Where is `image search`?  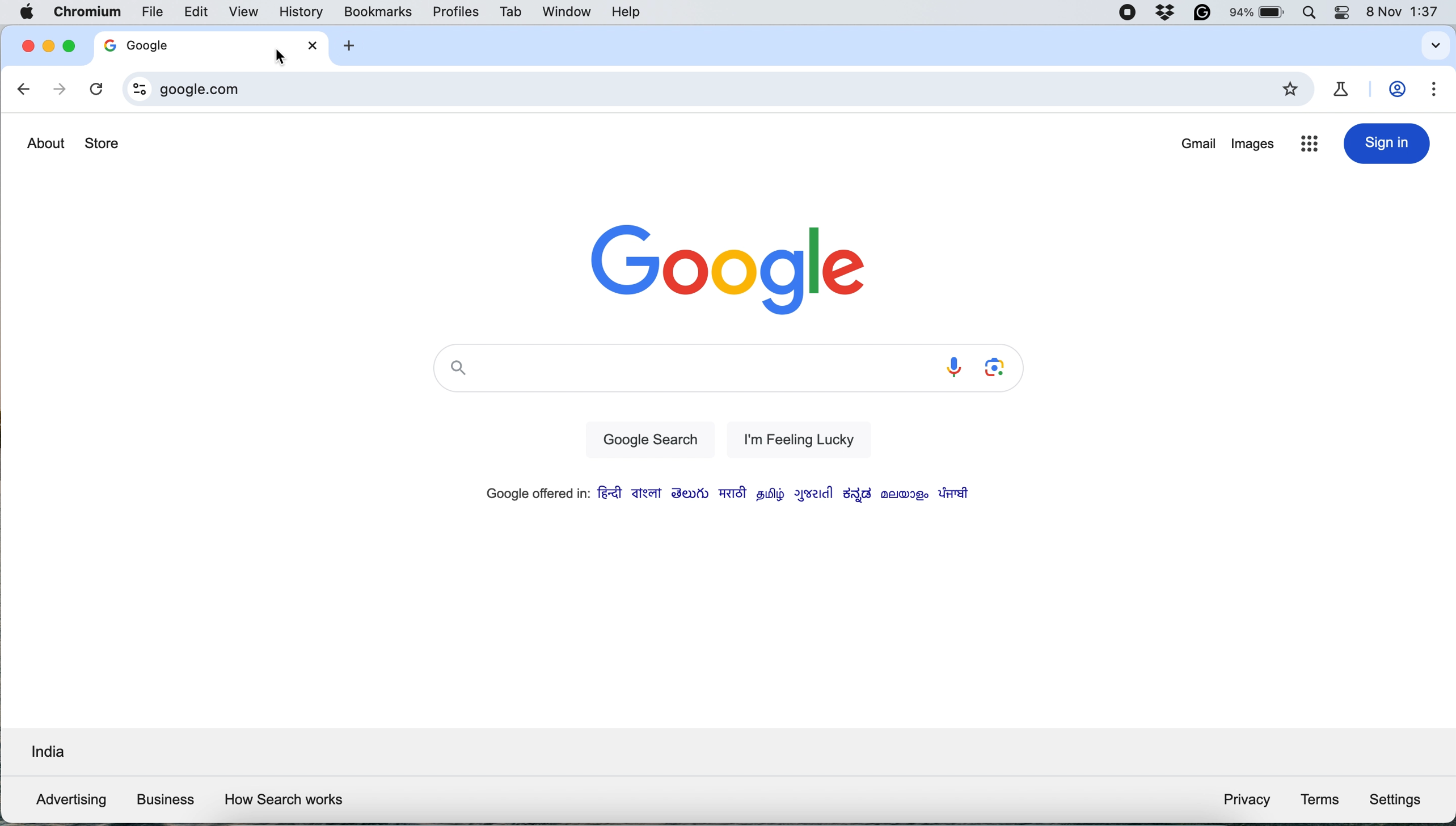 image search is located at coordinates (998, 368).